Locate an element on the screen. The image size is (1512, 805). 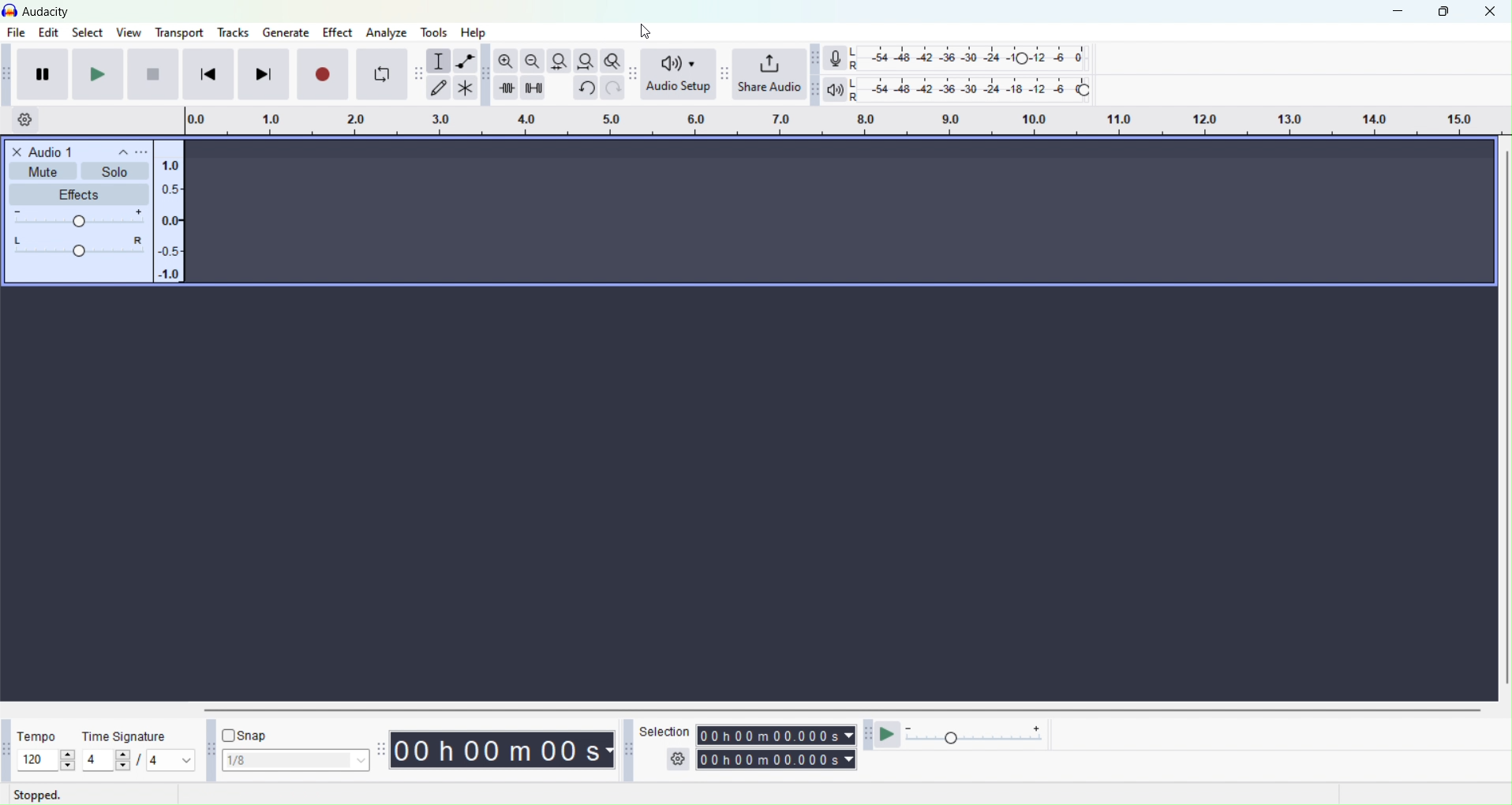
Record meter is located at coordinates (836, 58).